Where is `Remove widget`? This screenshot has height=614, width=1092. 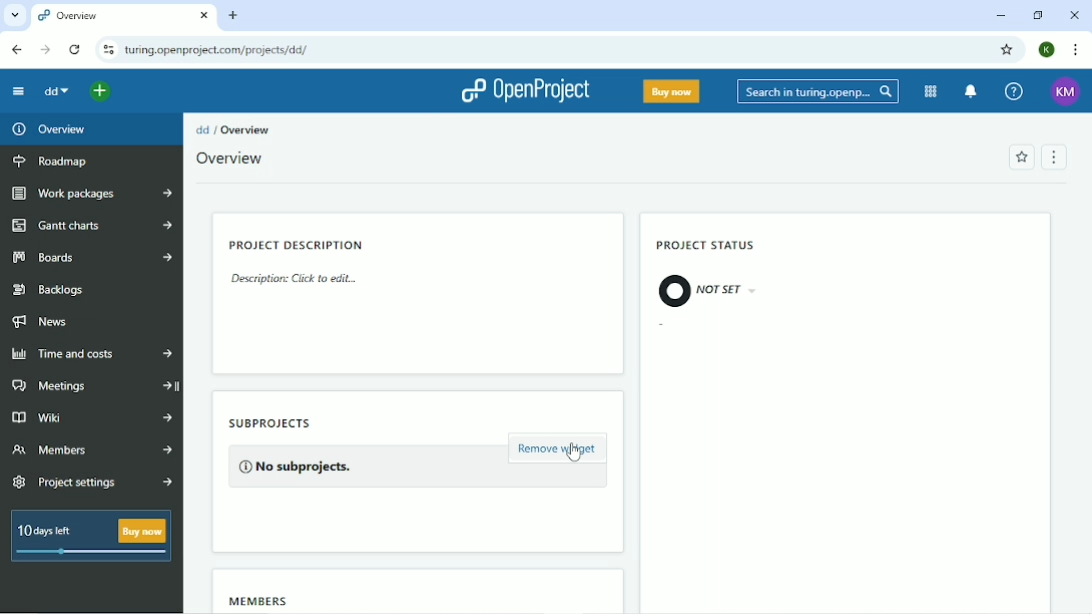 Remove widget is located at coordinates (558, 450).